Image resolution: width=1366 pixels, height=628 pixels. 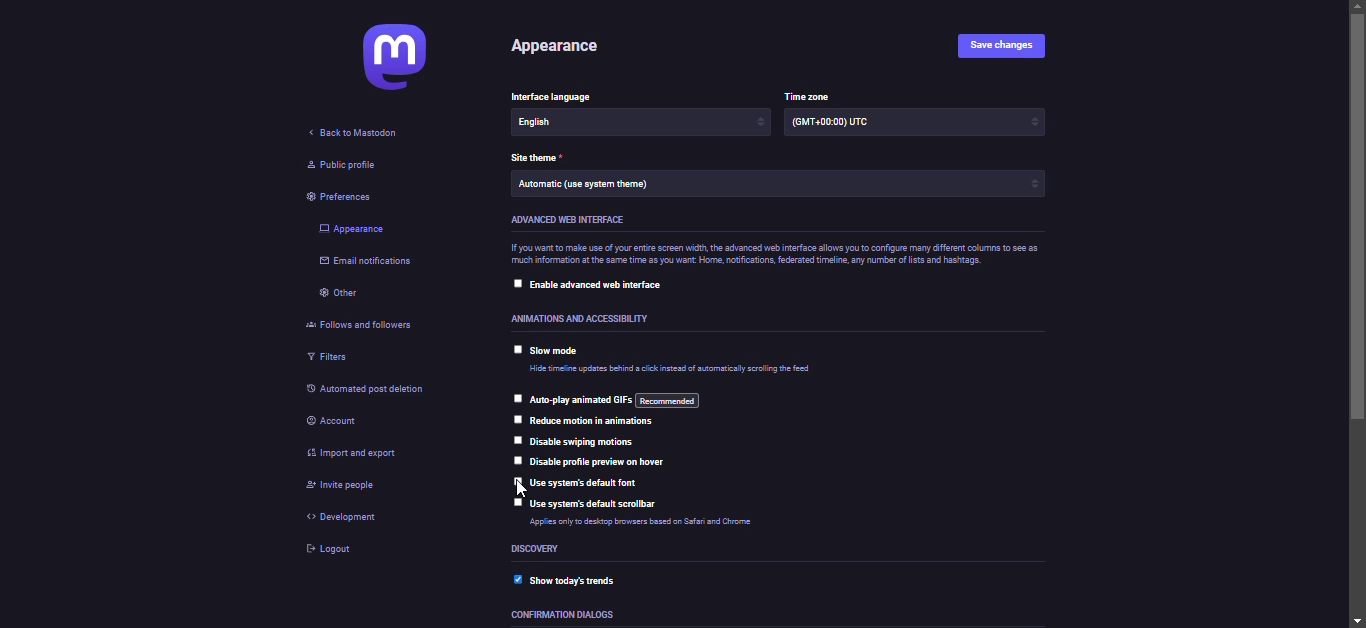 What do you see at coordinates (589, 482) in the screenshot?
I see `use system's default font` at bounding box center [589, 482].